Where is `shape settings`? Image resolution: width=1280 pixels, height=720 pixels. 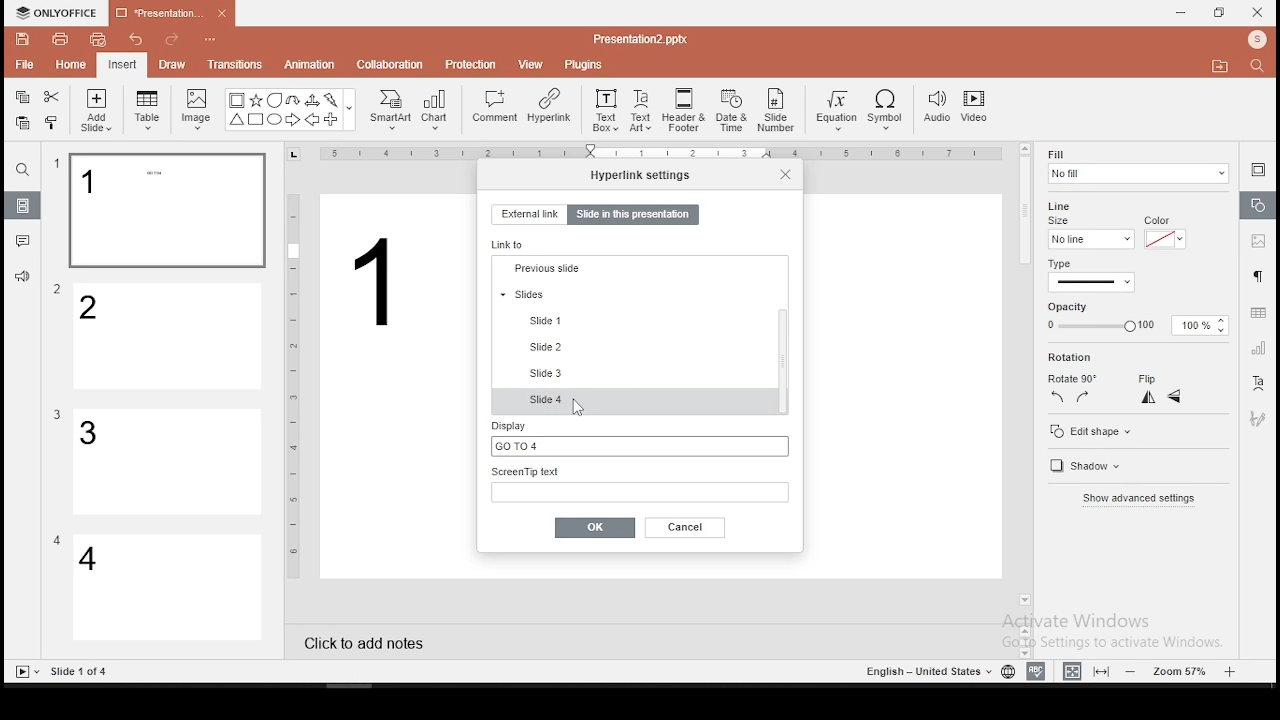
shape settings is located at coordinates (1259, 206).